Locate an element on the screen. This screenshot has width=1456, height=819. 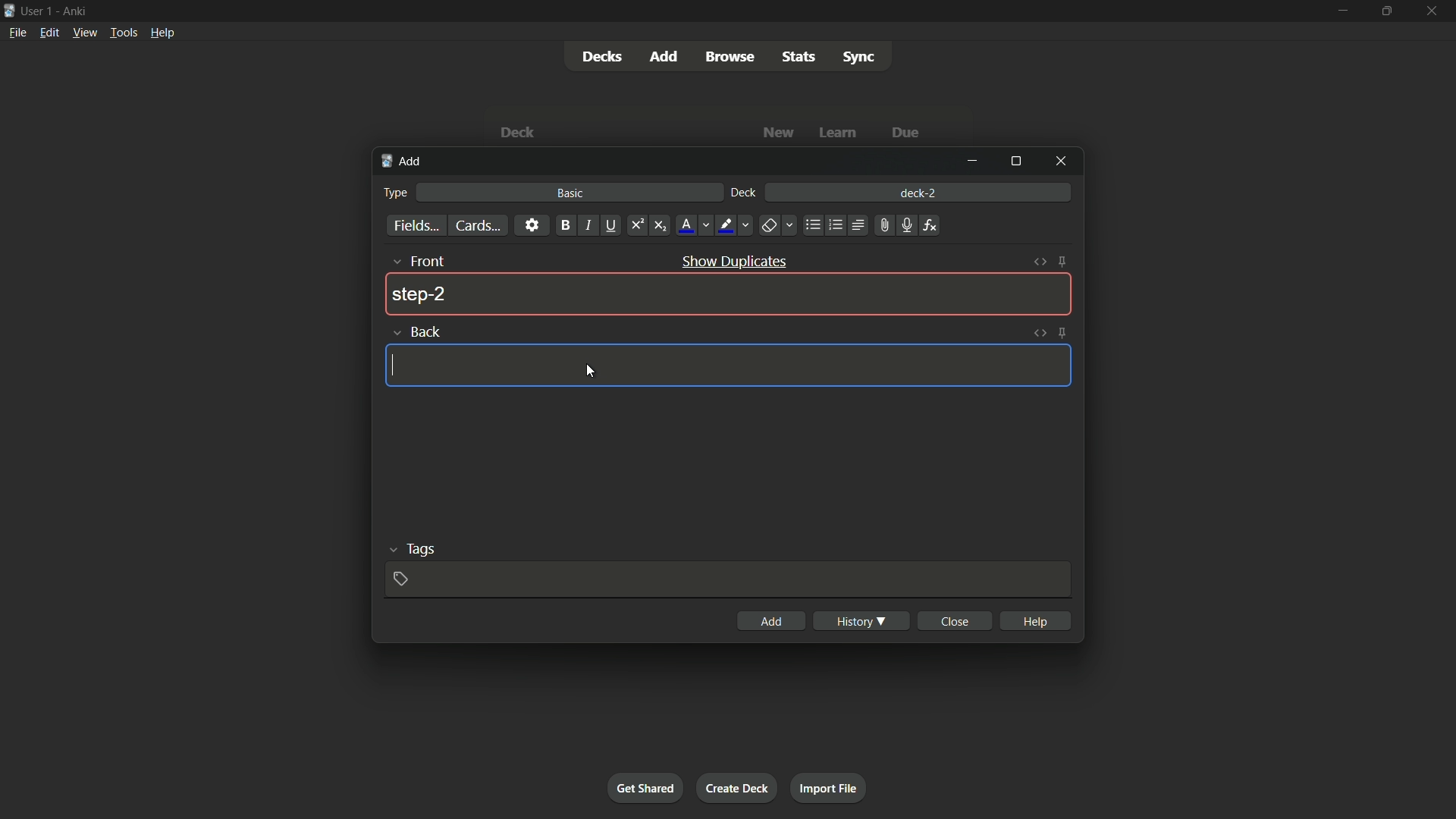
file menu is located at coordinates (16, 33).